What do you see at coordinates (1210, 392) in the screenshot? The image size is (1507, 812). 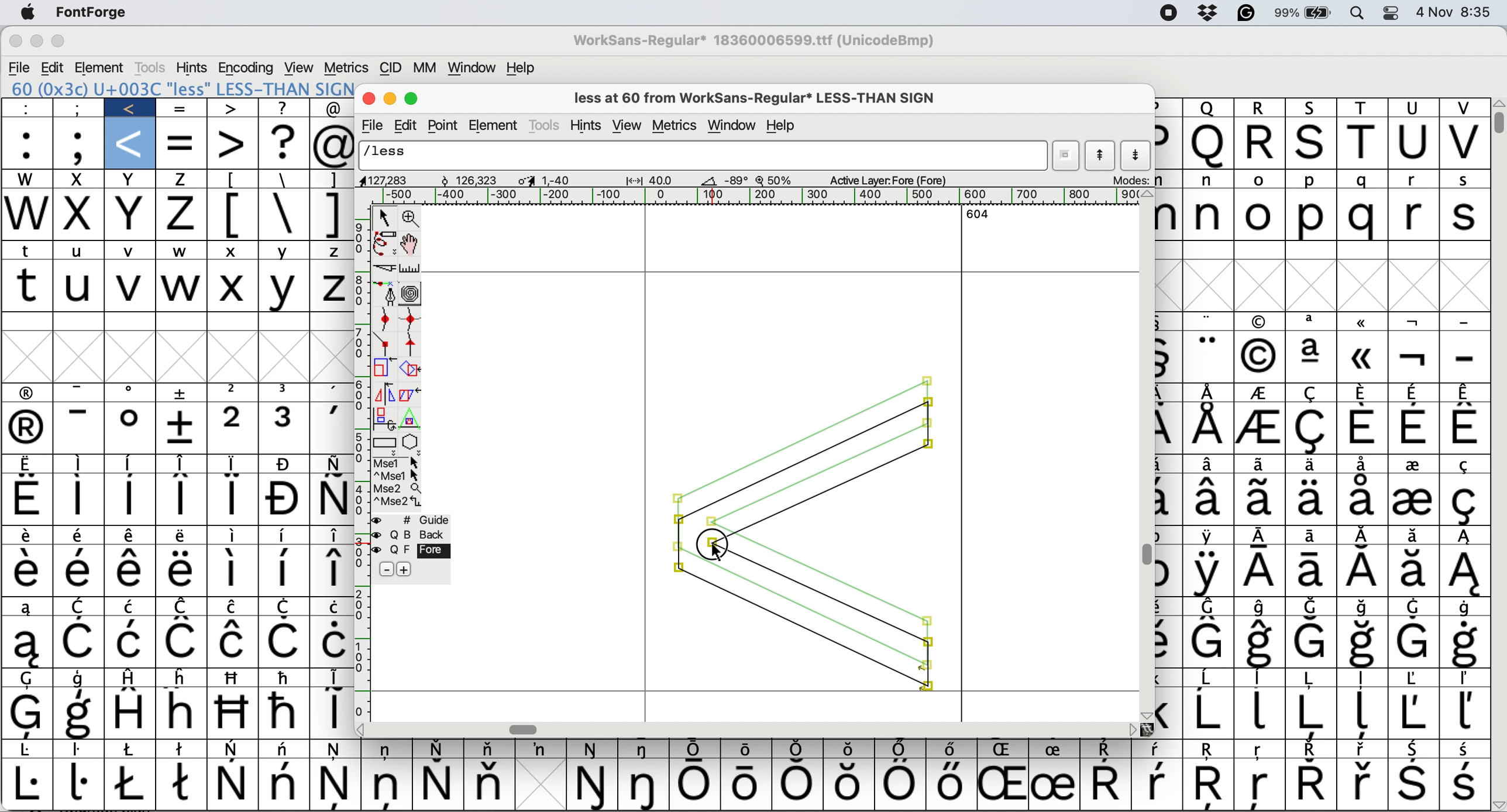 I see `Symbol` at bounding box center [1210, 392].